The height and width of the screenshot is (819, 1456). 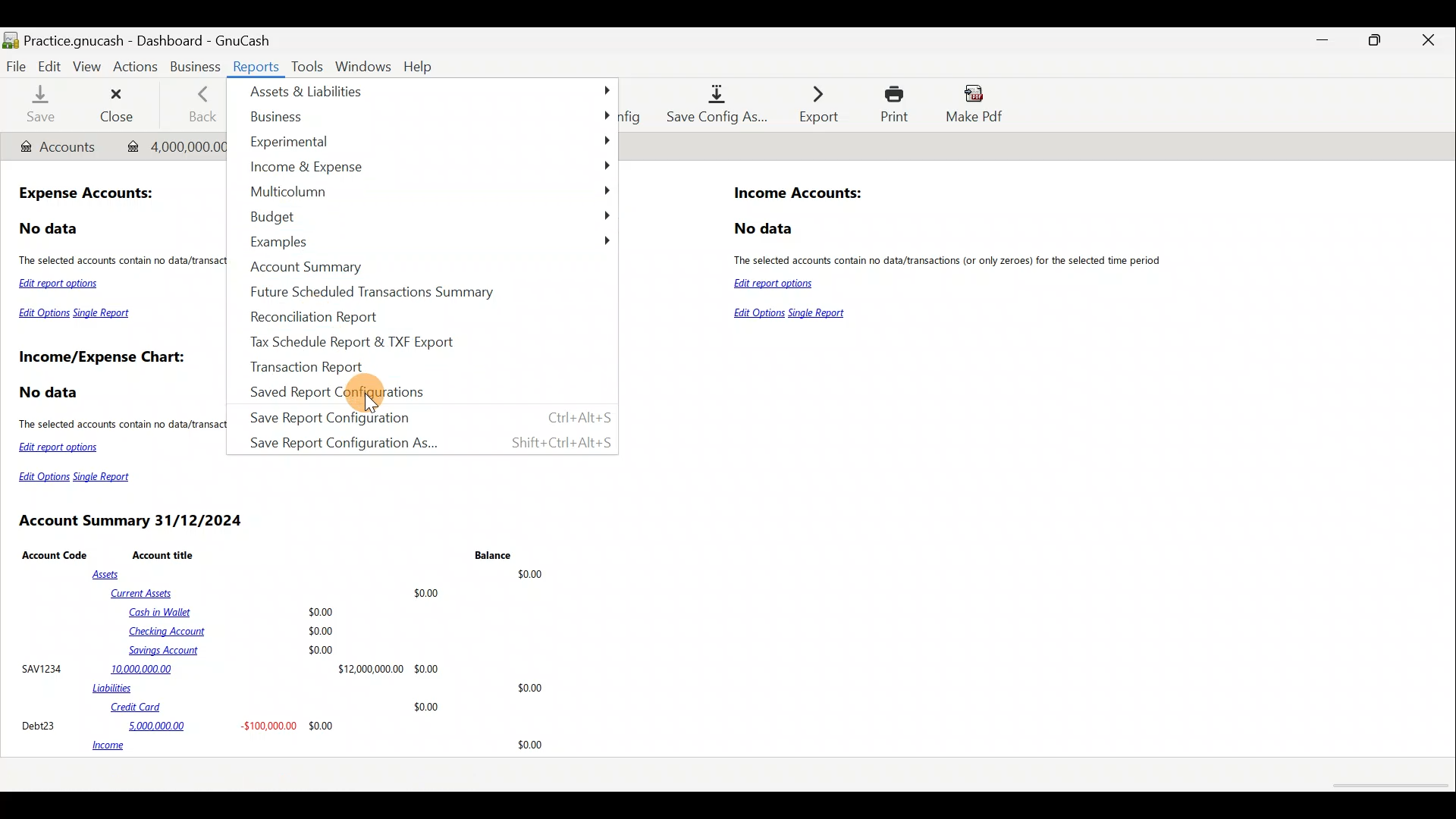 I want to click on Minimise, so click(x=1326, y=40).